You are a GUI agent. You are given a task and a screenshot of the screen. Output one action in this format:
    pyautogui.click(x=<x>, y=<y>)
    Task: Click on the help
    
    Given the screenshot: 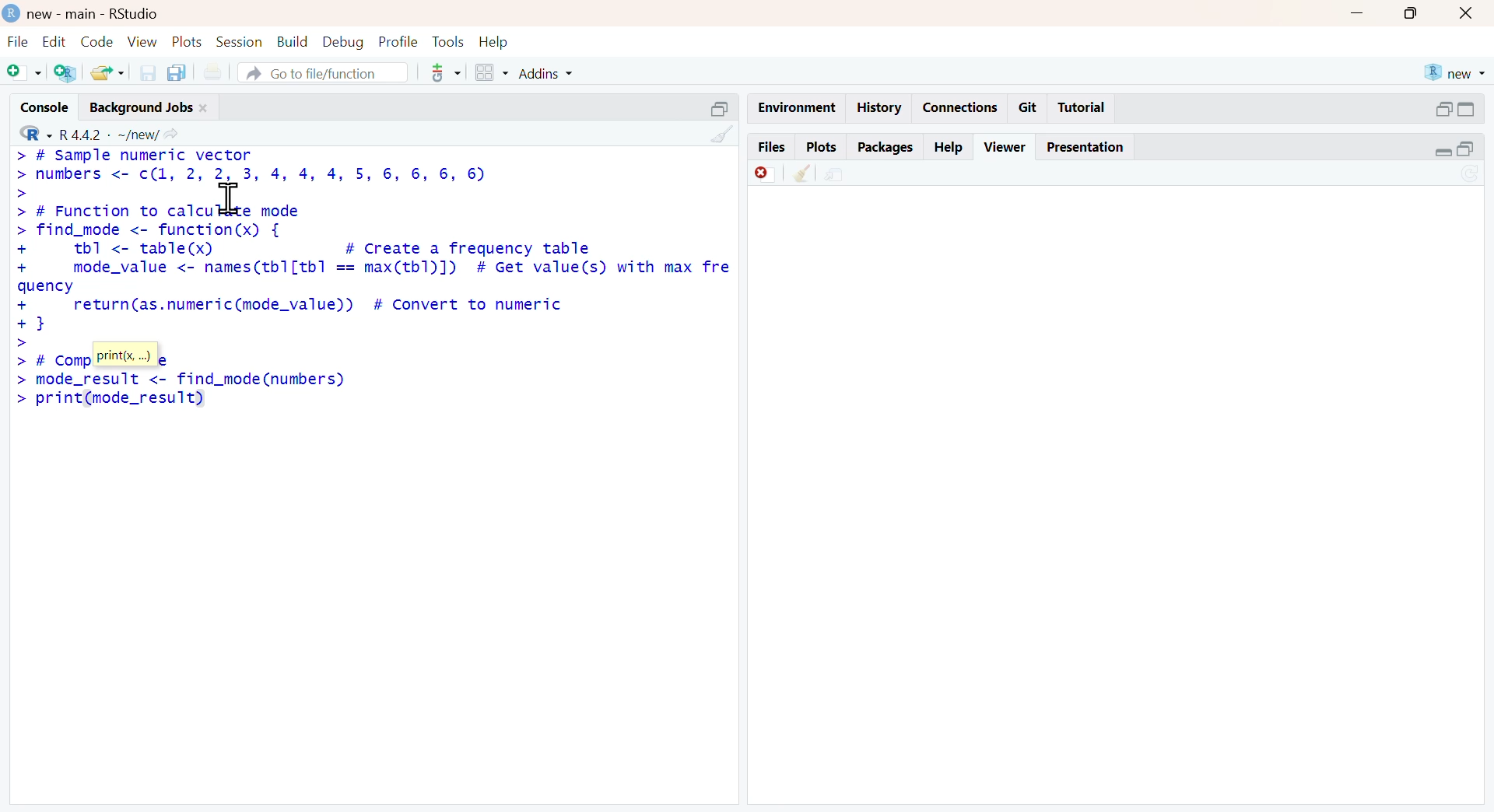 What is the action you would take?
    pyautogui.click(x=494, y=43)
    